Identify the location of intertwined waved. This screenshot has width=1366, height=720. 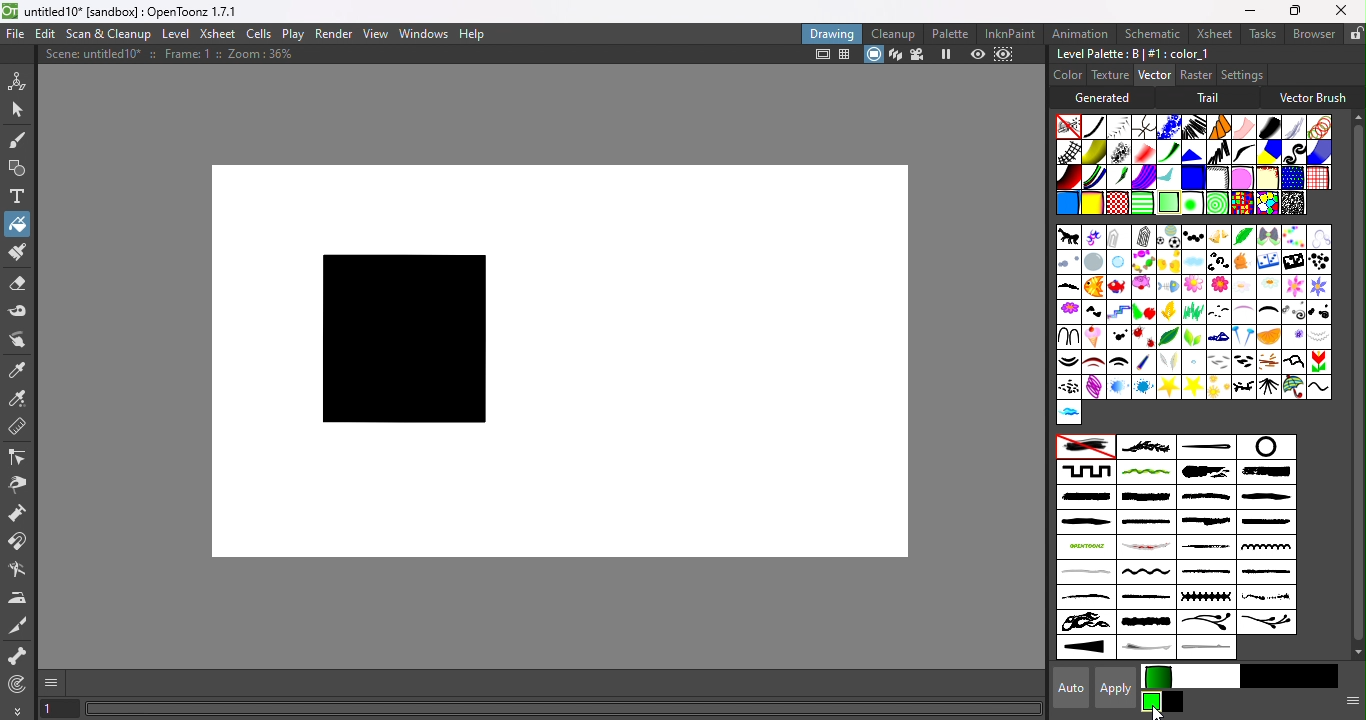
(1146, 472).